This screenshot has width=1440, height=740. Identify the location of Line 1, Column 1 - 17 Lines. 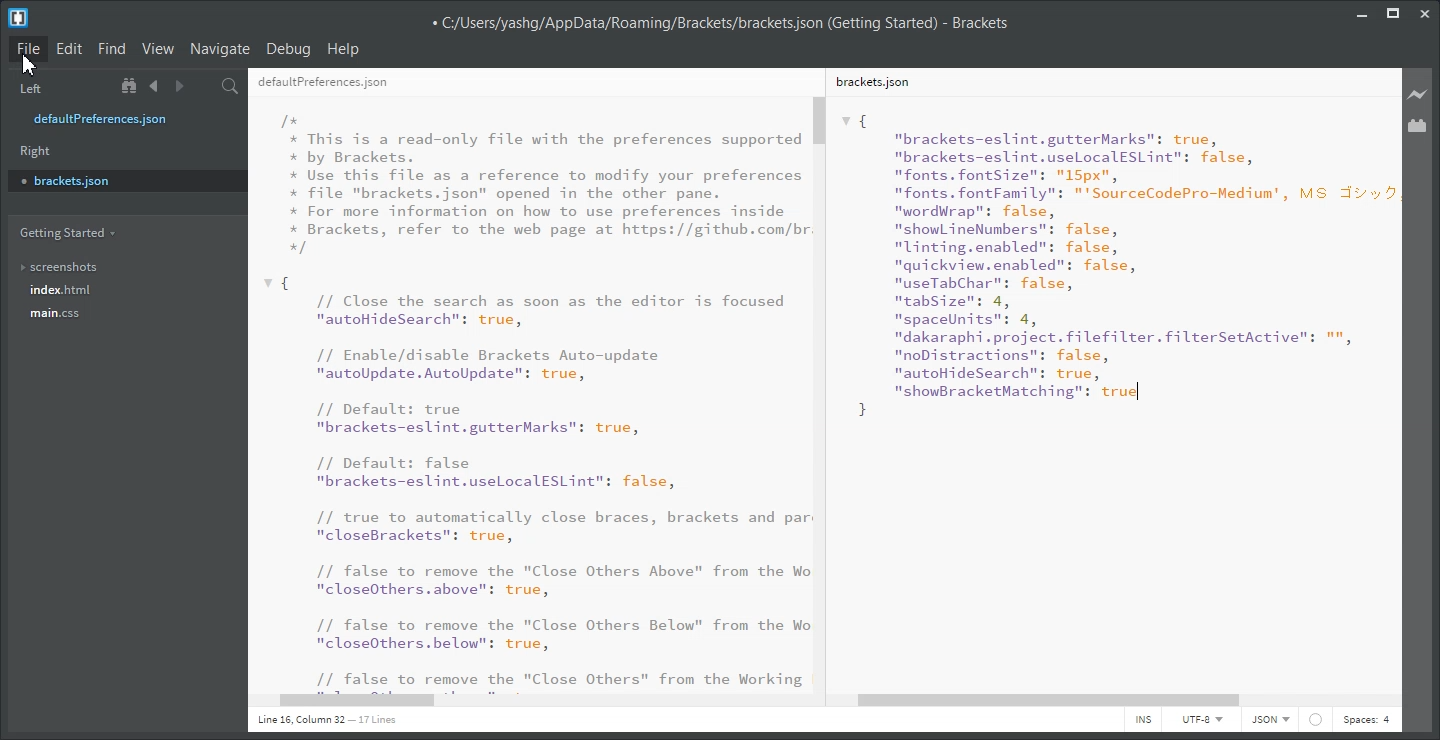
(324, 721).